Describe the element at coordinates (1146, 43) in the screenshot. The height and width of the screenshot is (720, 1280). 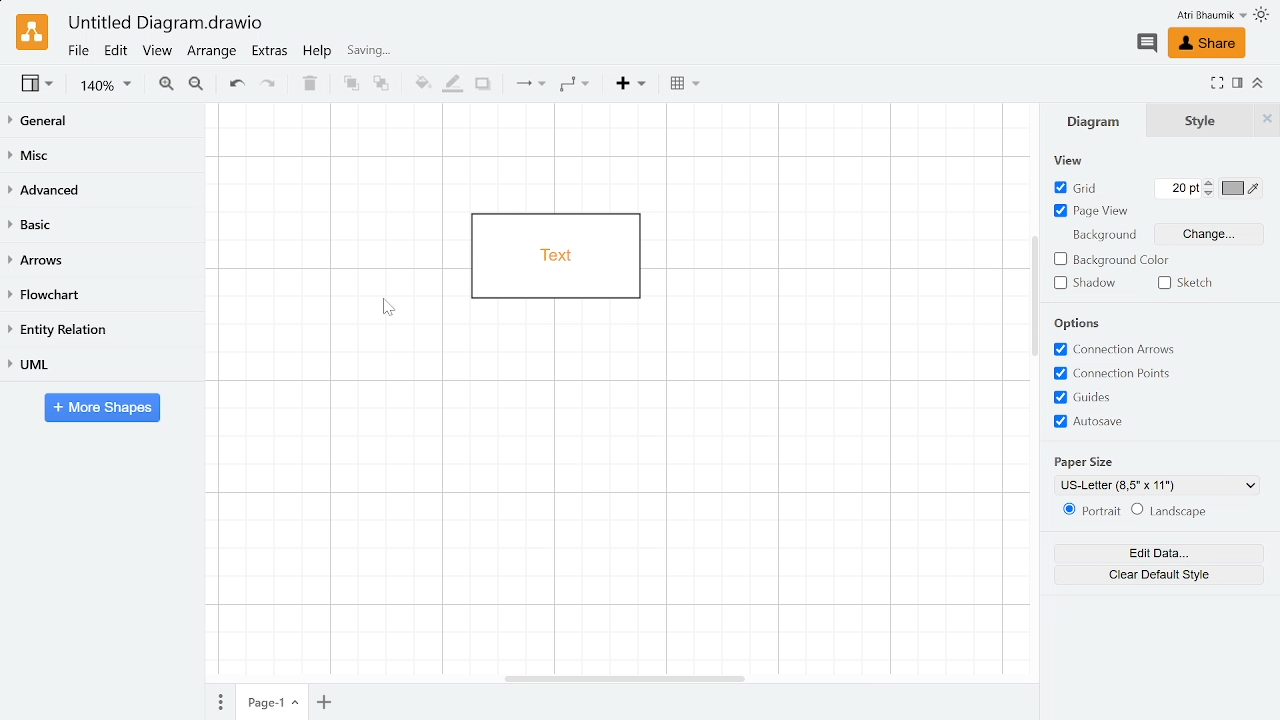
I see `Comment` at that location.